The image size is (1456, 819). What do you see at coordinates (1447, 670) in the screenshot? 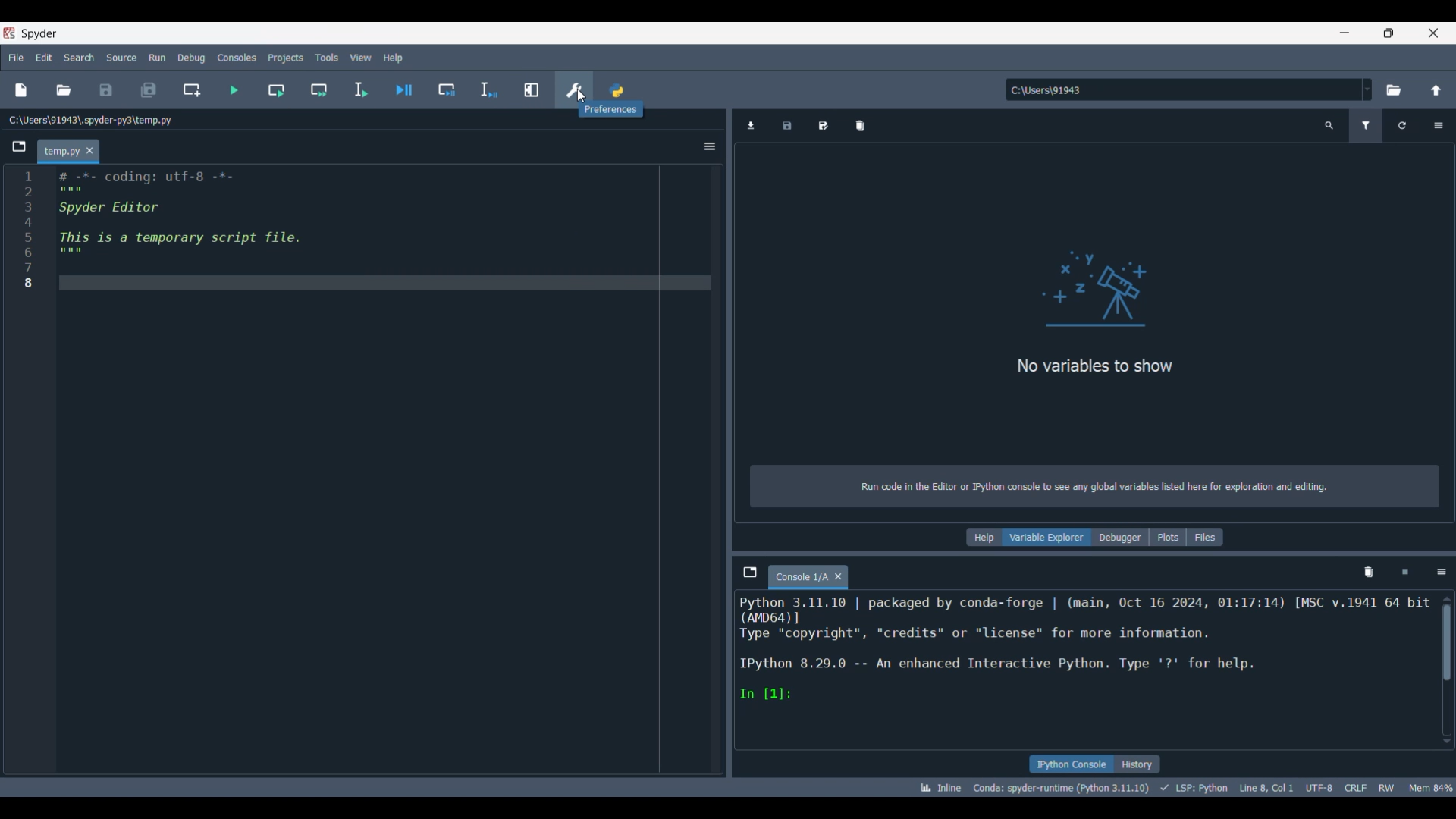
I see `Vertical slide bar` at bounding box center [1447, 670].